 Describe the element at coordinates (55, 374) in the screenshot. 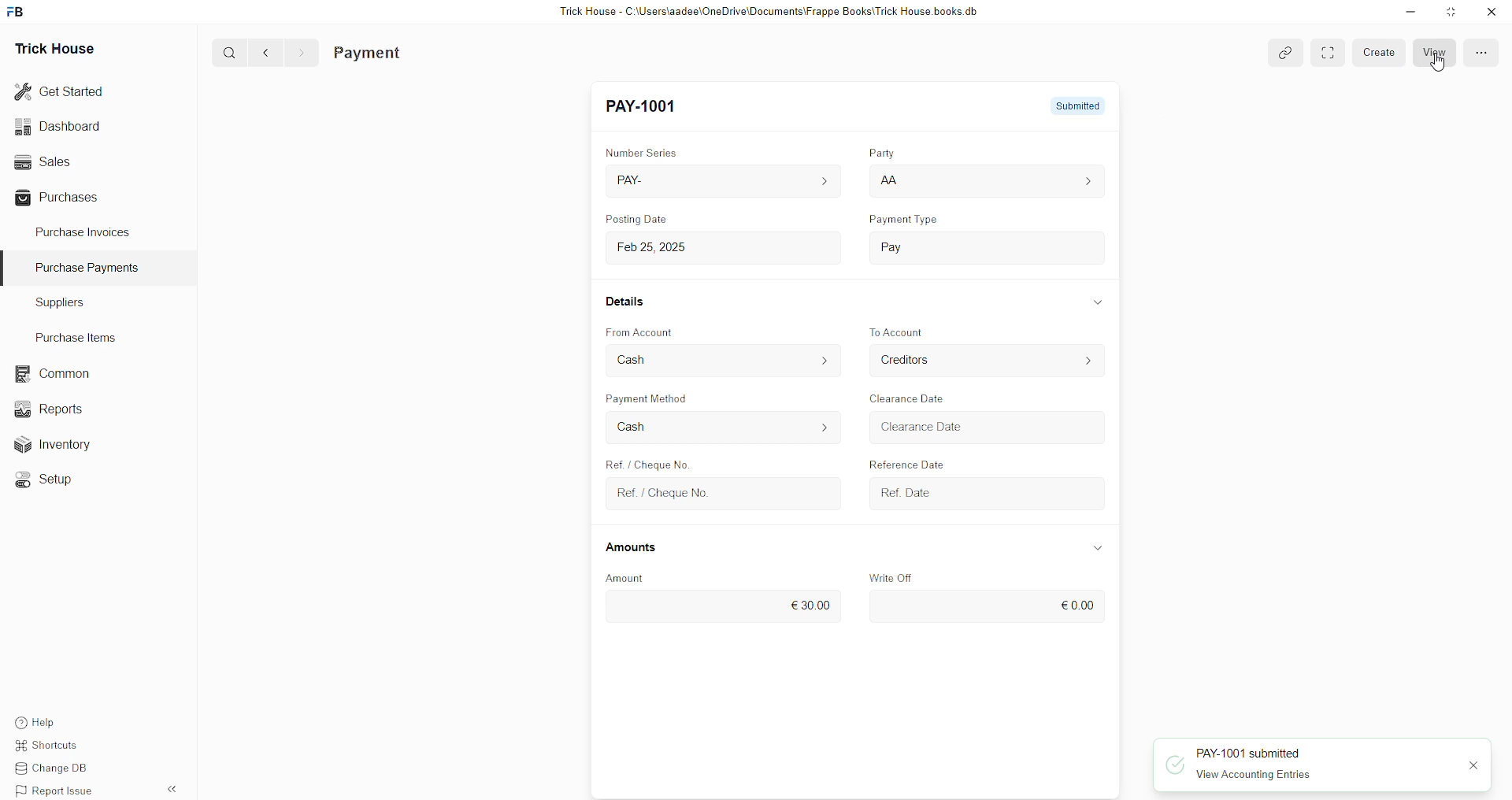

I see `common` at that location.